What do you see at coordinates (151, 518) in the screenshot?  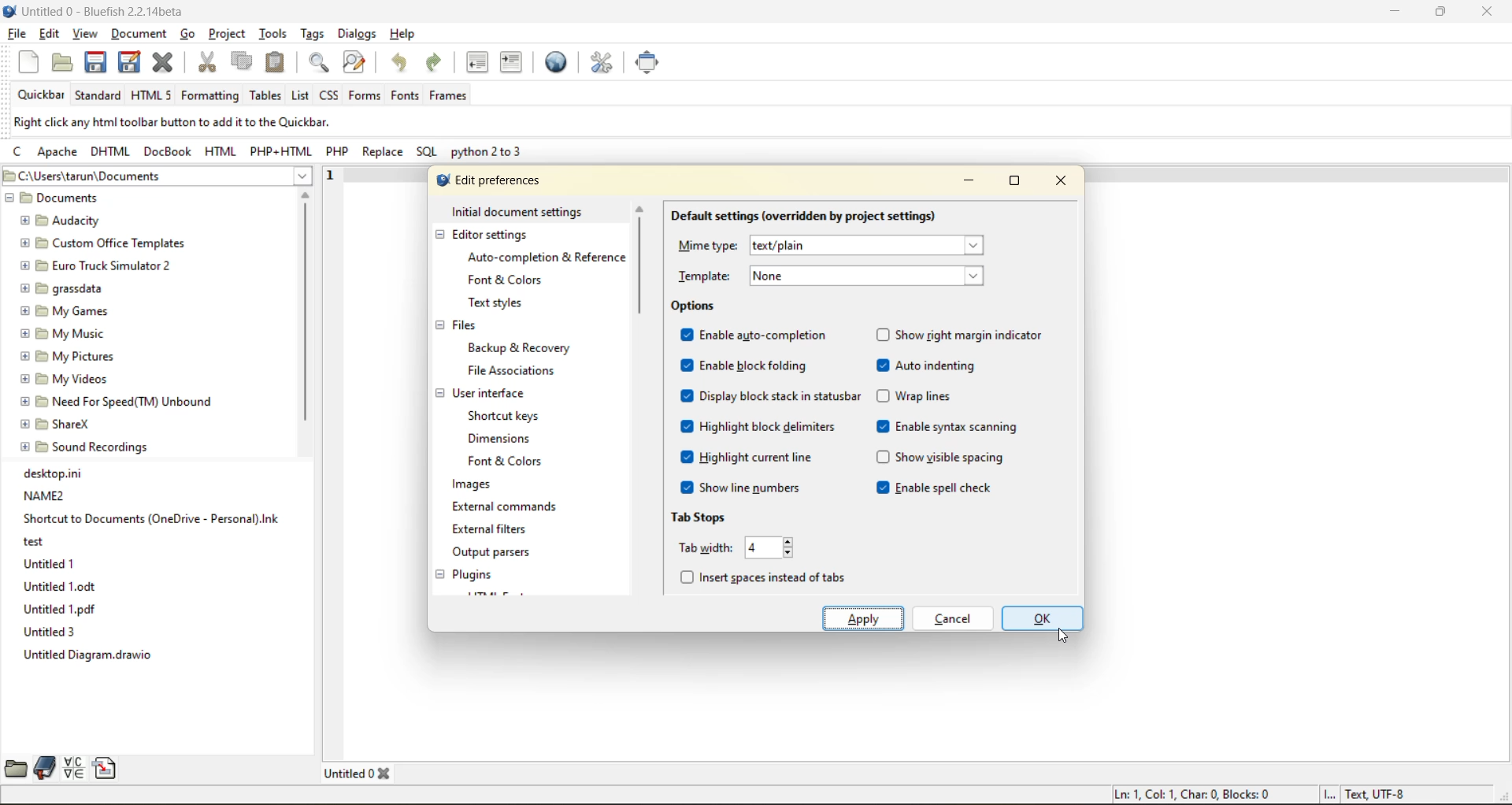 I see `Shortcut to Documents (OneDrive - Personal).Ink` at bounding box center [151, 518].